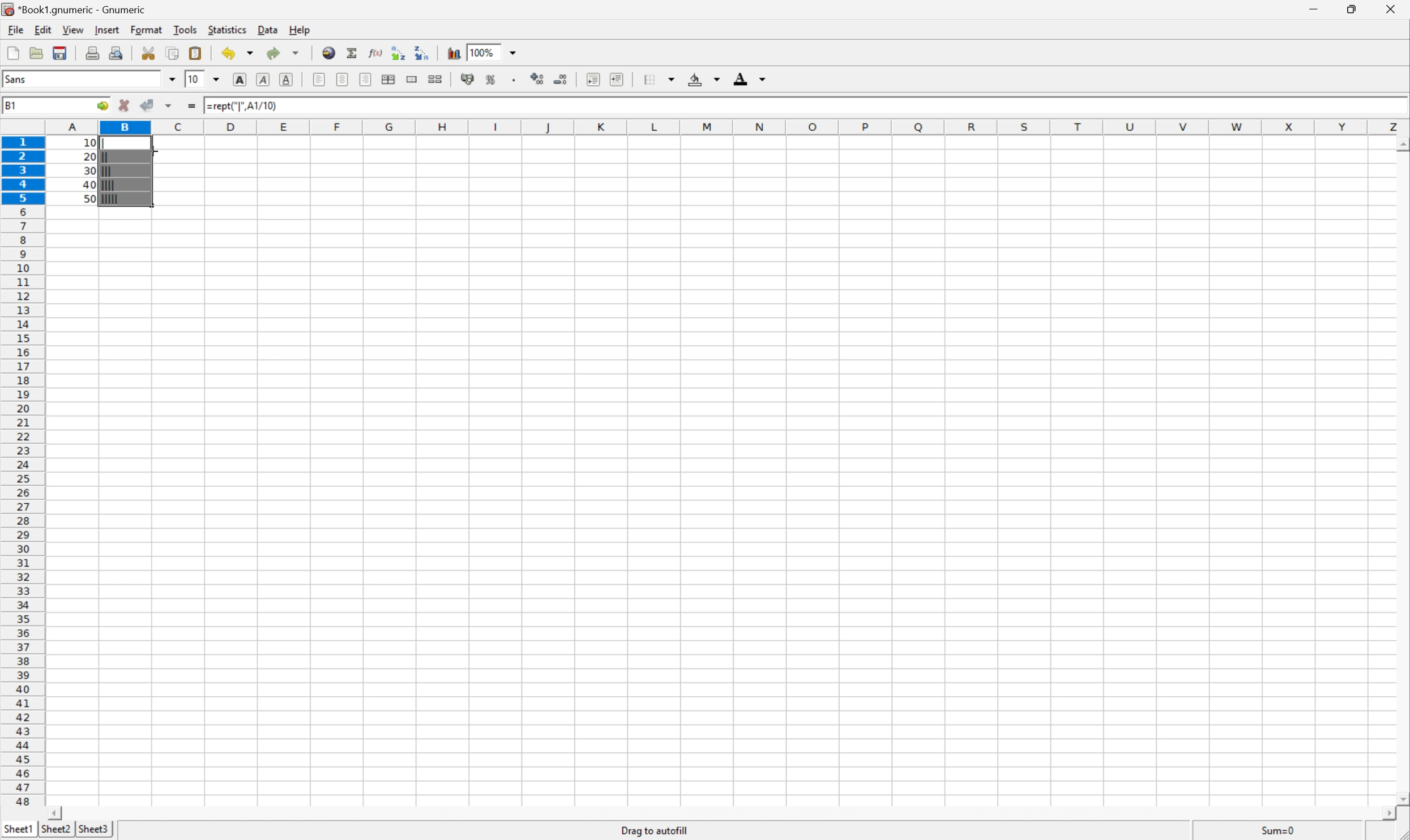  I want to click on Edit a function in current cell, so click(378, 52).